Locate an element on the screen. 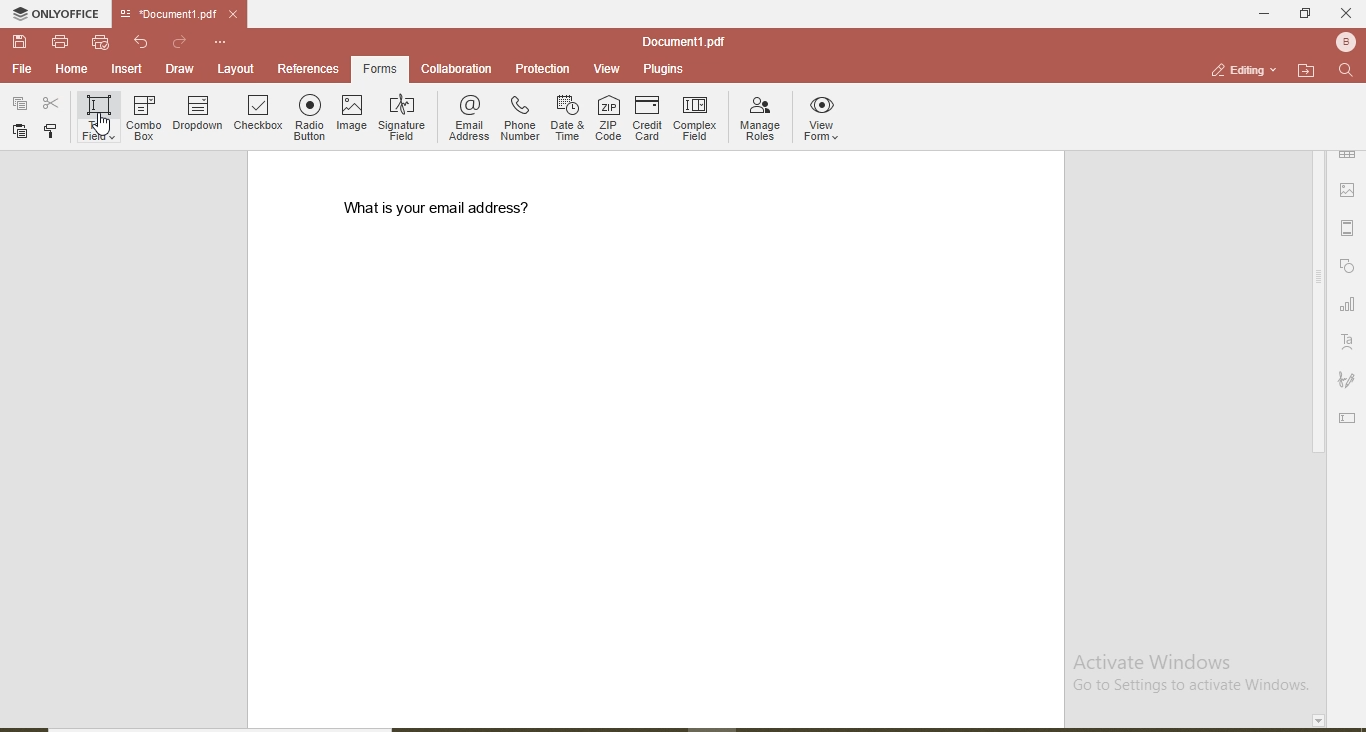 The width and height of the screenshot is (1366, 732). find is located at coordinates (1346, 71).